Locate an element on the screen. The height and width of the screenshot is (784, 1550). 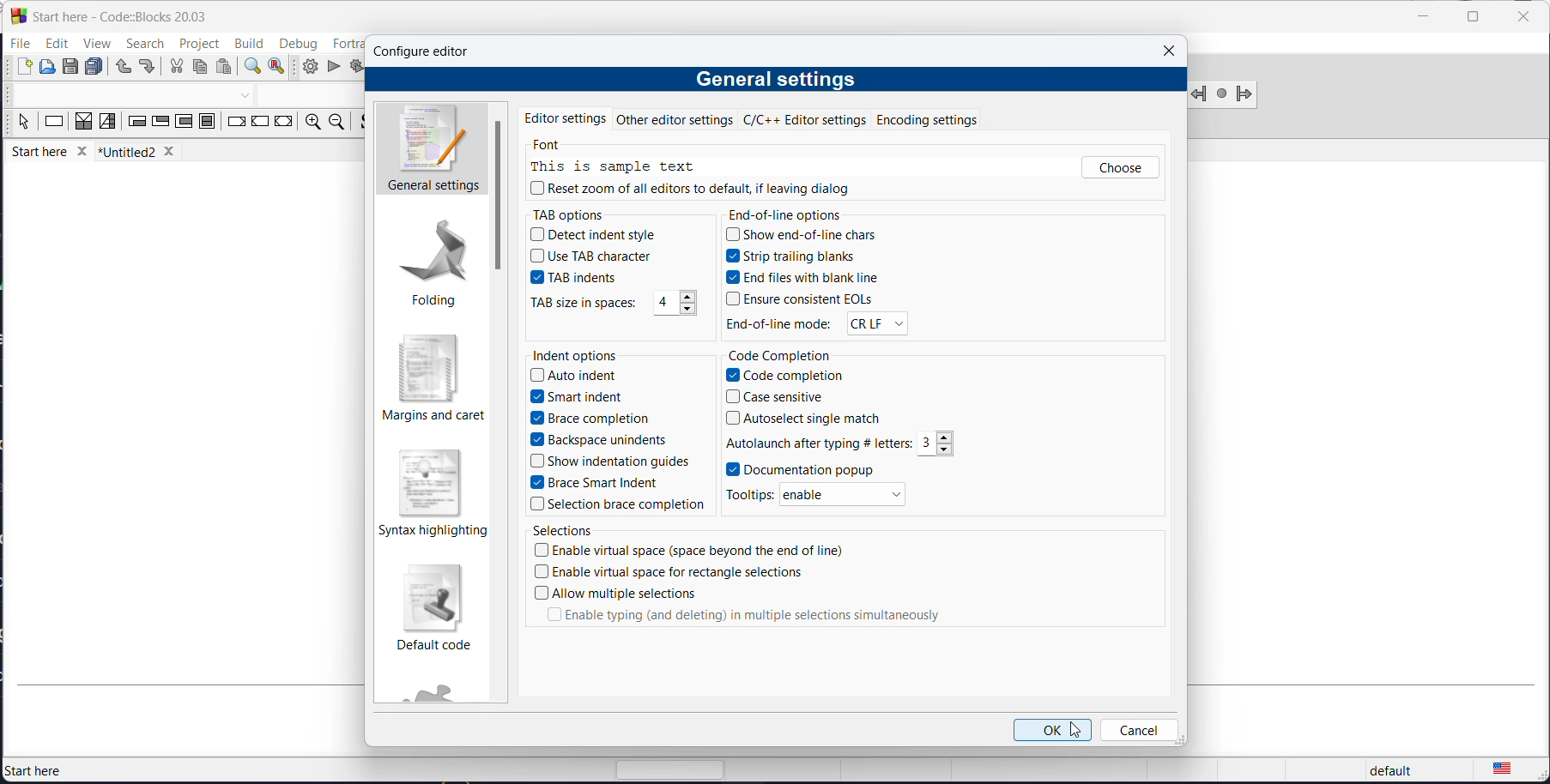
block instruction is located at coordinates (209, 124).